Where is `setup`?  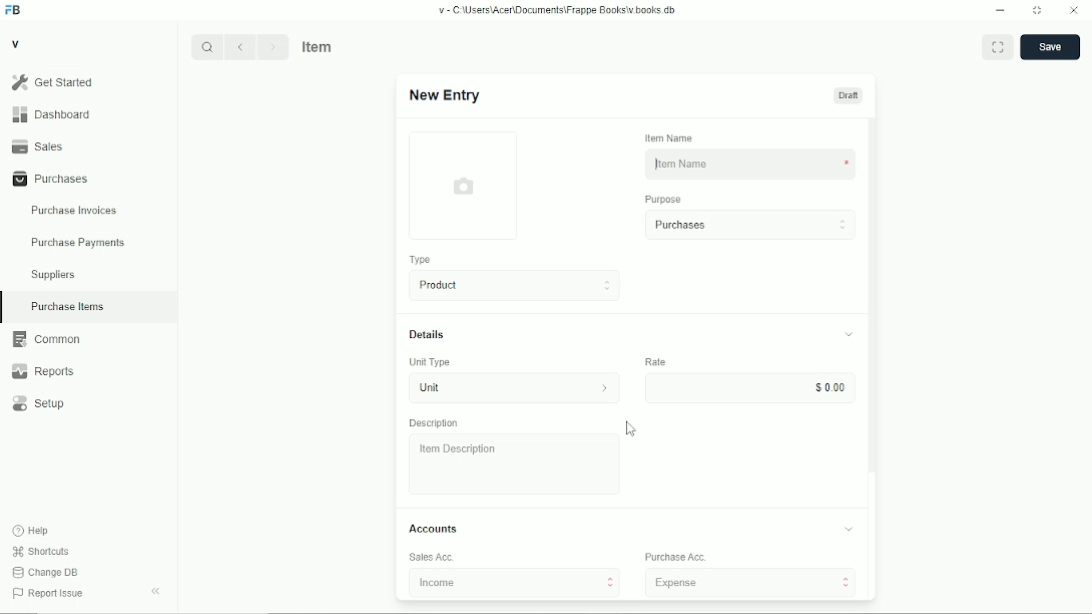
setup is located at coordinates (39, 404).